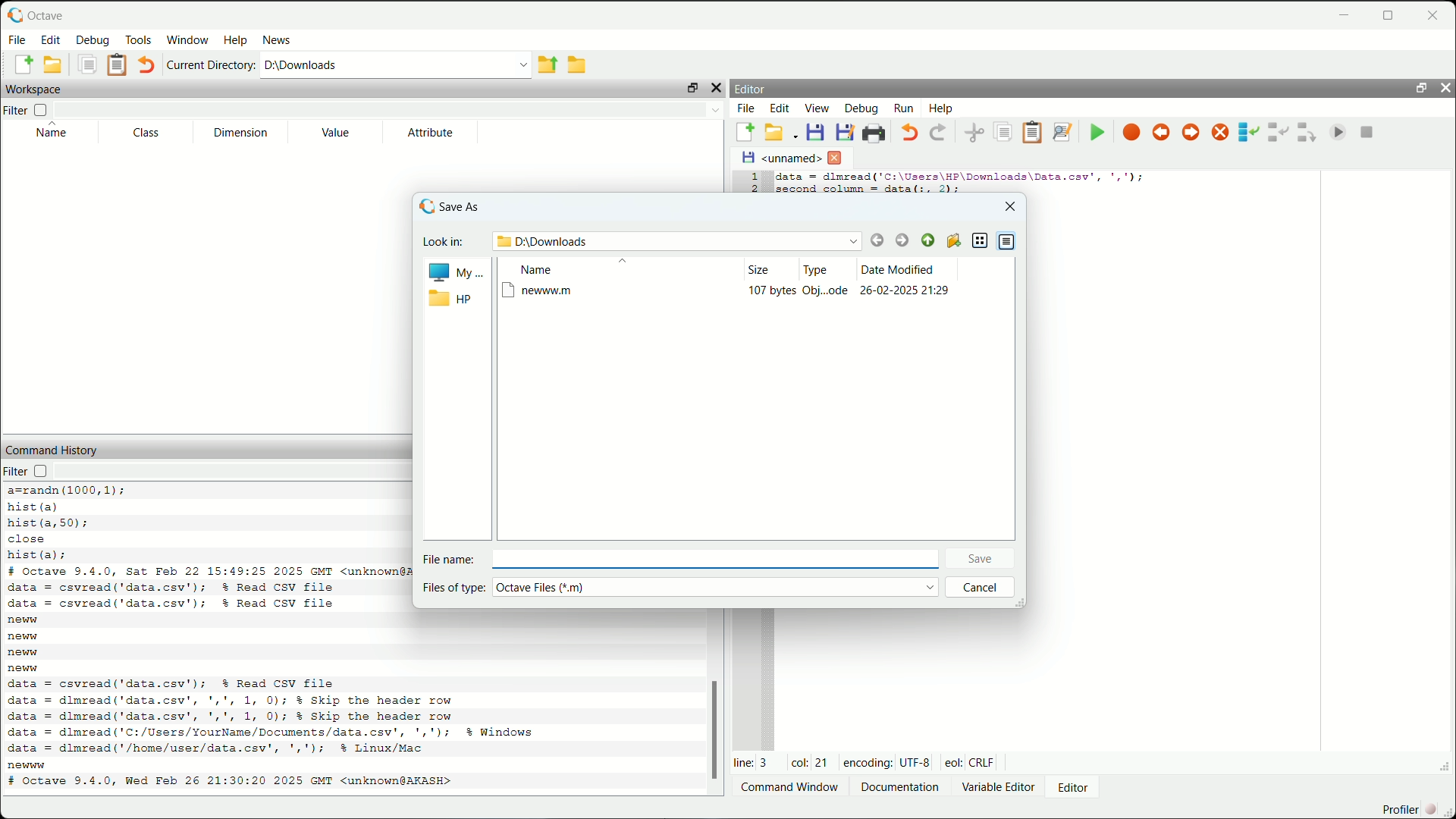 This screenshot has width=1456, height=819. Describe the element at coordinates (84, 523) in the screenshot. I see `code` at that location.